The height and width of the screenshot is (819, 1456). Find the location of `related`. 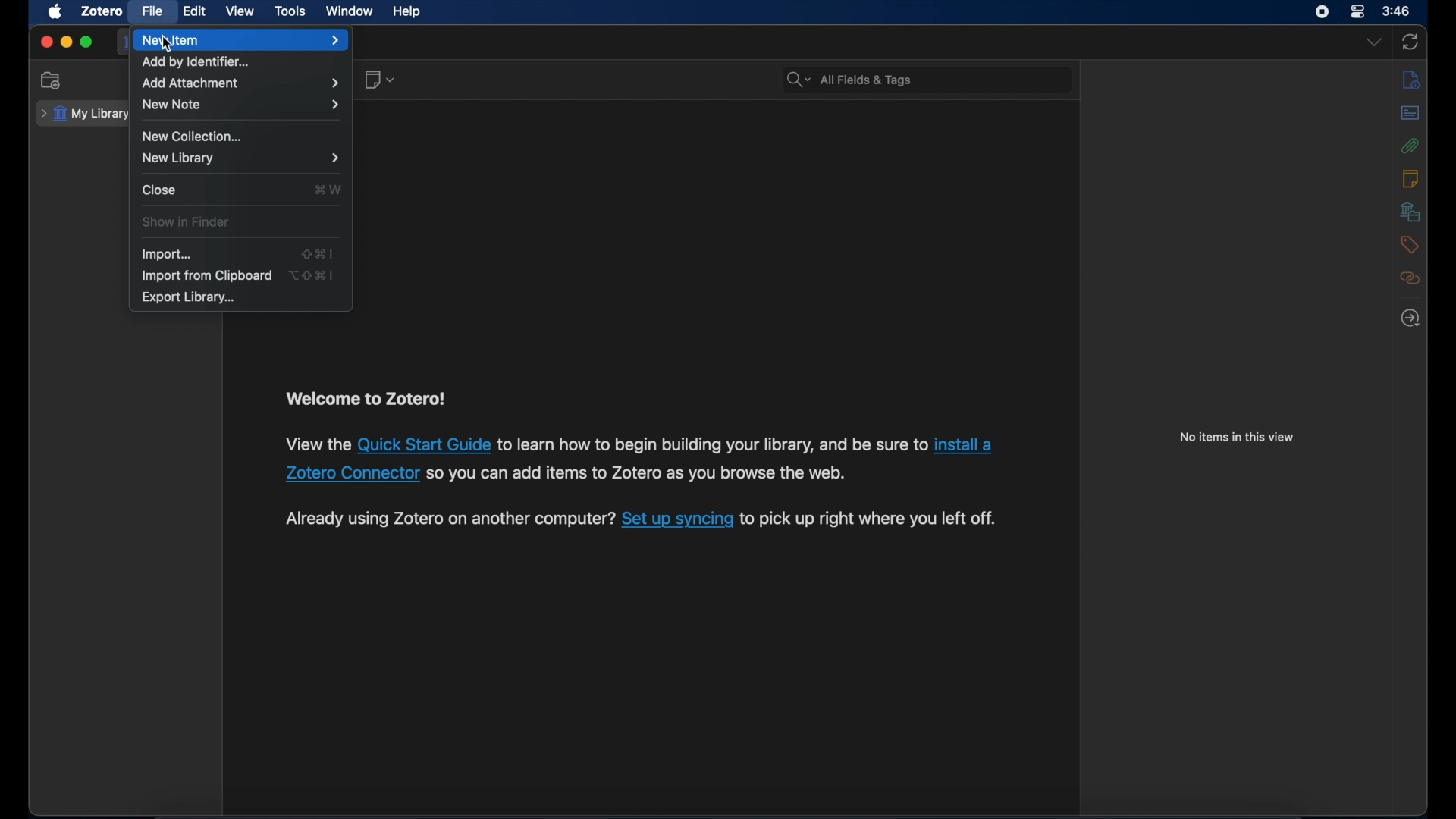

related is located at coordinates (1410, 278).